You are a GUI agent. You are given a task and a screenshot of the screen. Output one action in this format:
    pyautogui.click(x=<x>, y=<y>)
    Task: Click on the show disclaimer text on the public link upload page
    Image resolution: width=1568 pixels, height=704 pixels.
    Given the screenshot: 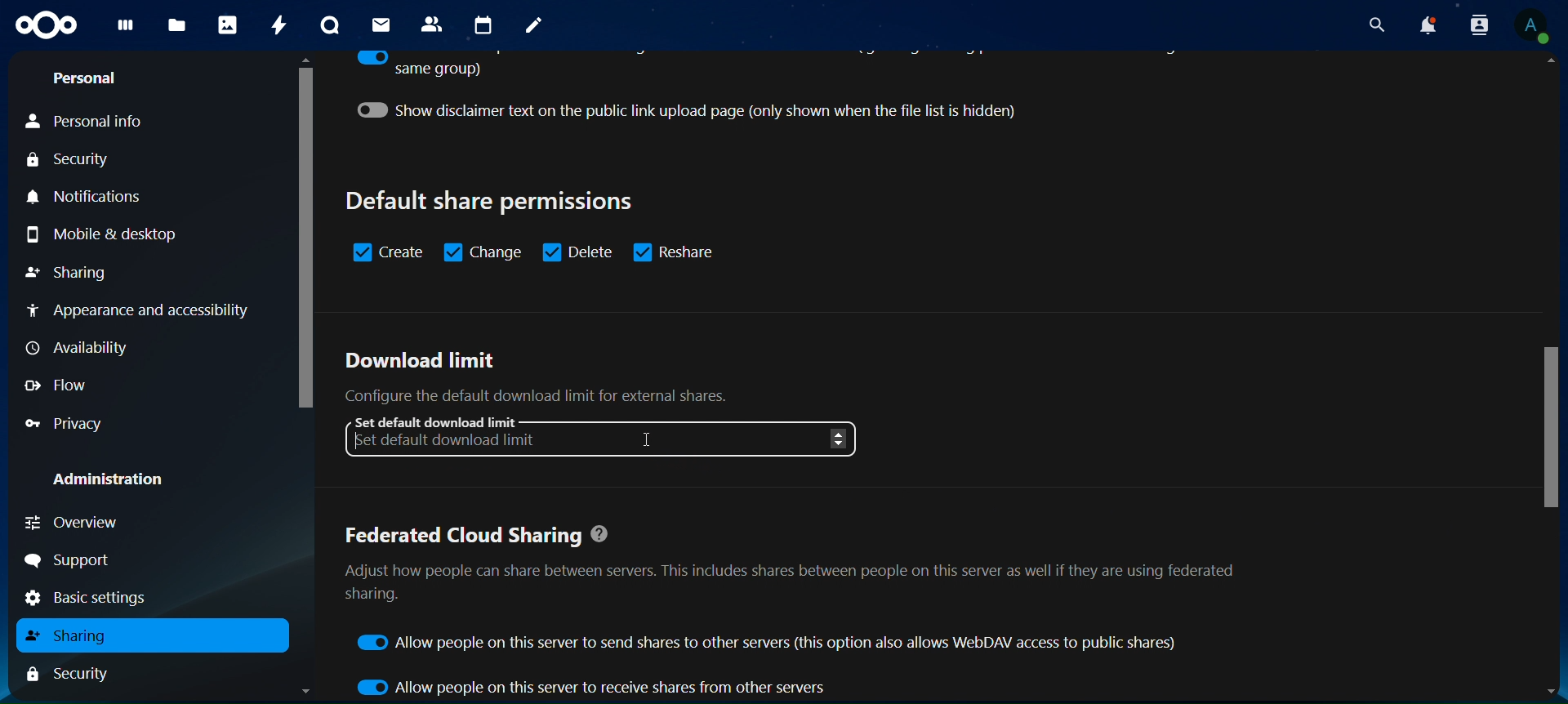 What is the action you would take?
    pyautogui.click(x=706, y=110)
    